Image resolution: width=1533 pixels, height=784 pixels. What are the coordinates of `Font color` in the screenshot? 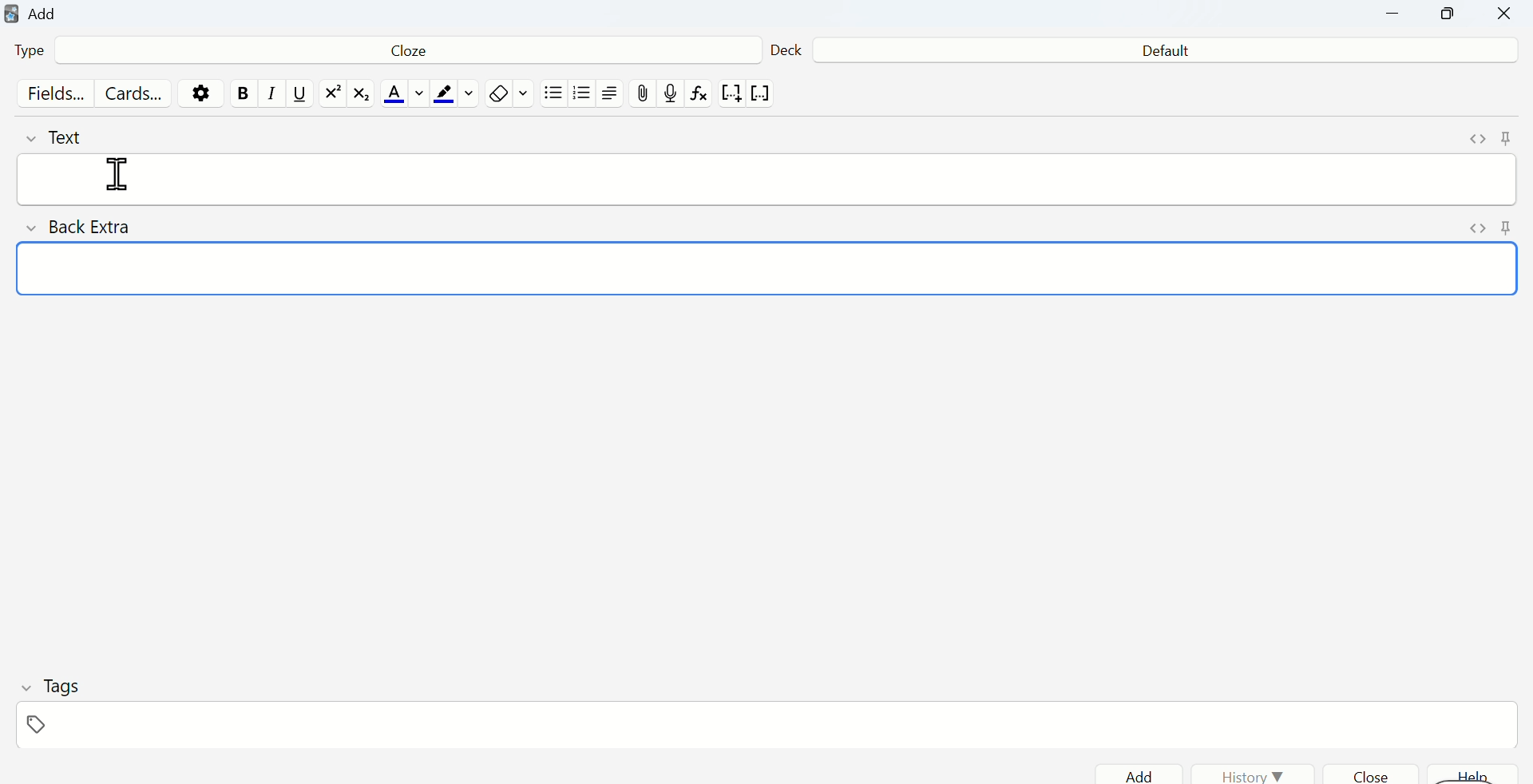 It's located at (401, 95).